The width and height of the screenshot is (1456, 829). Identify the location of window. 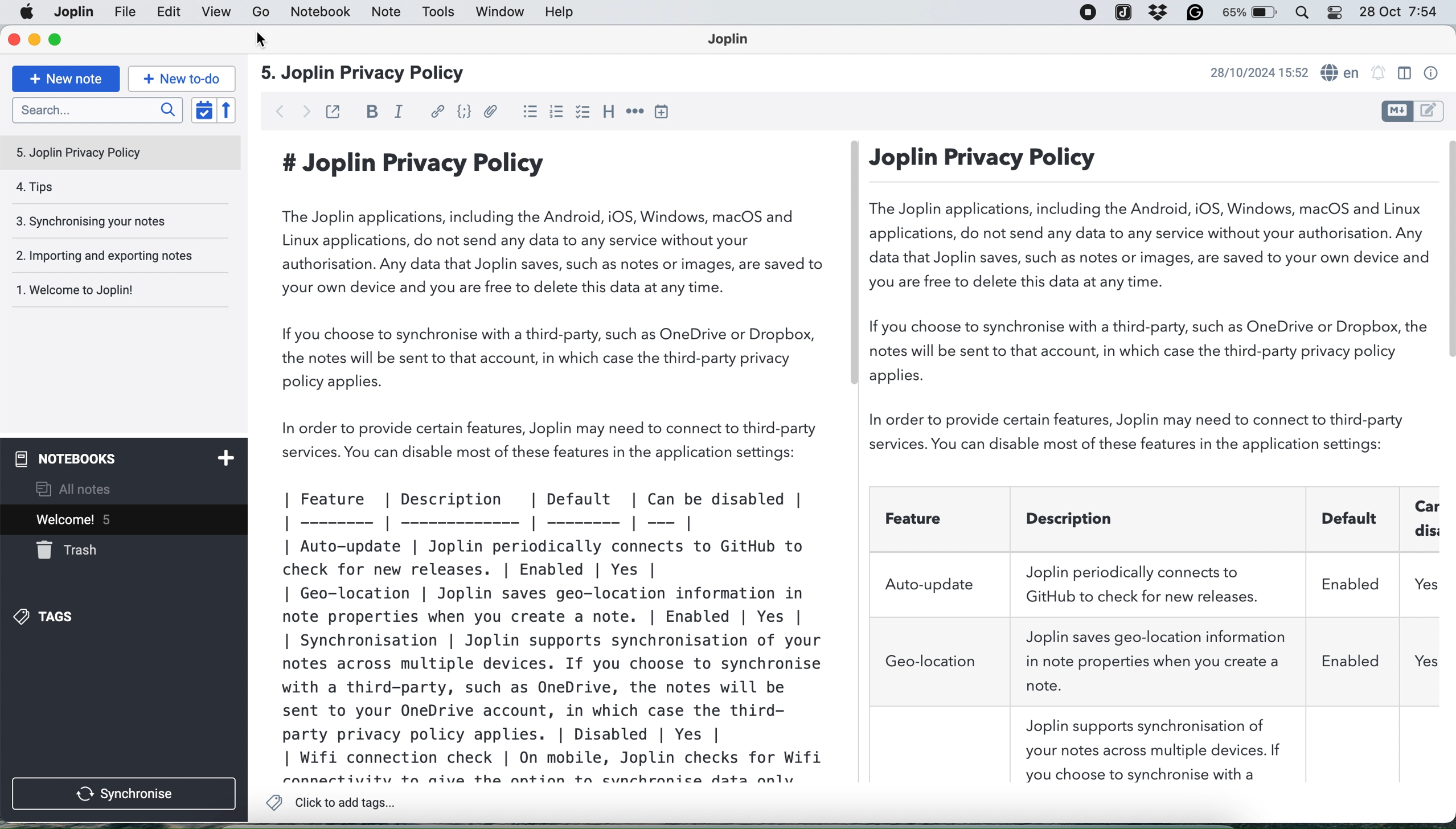
(497, 13).